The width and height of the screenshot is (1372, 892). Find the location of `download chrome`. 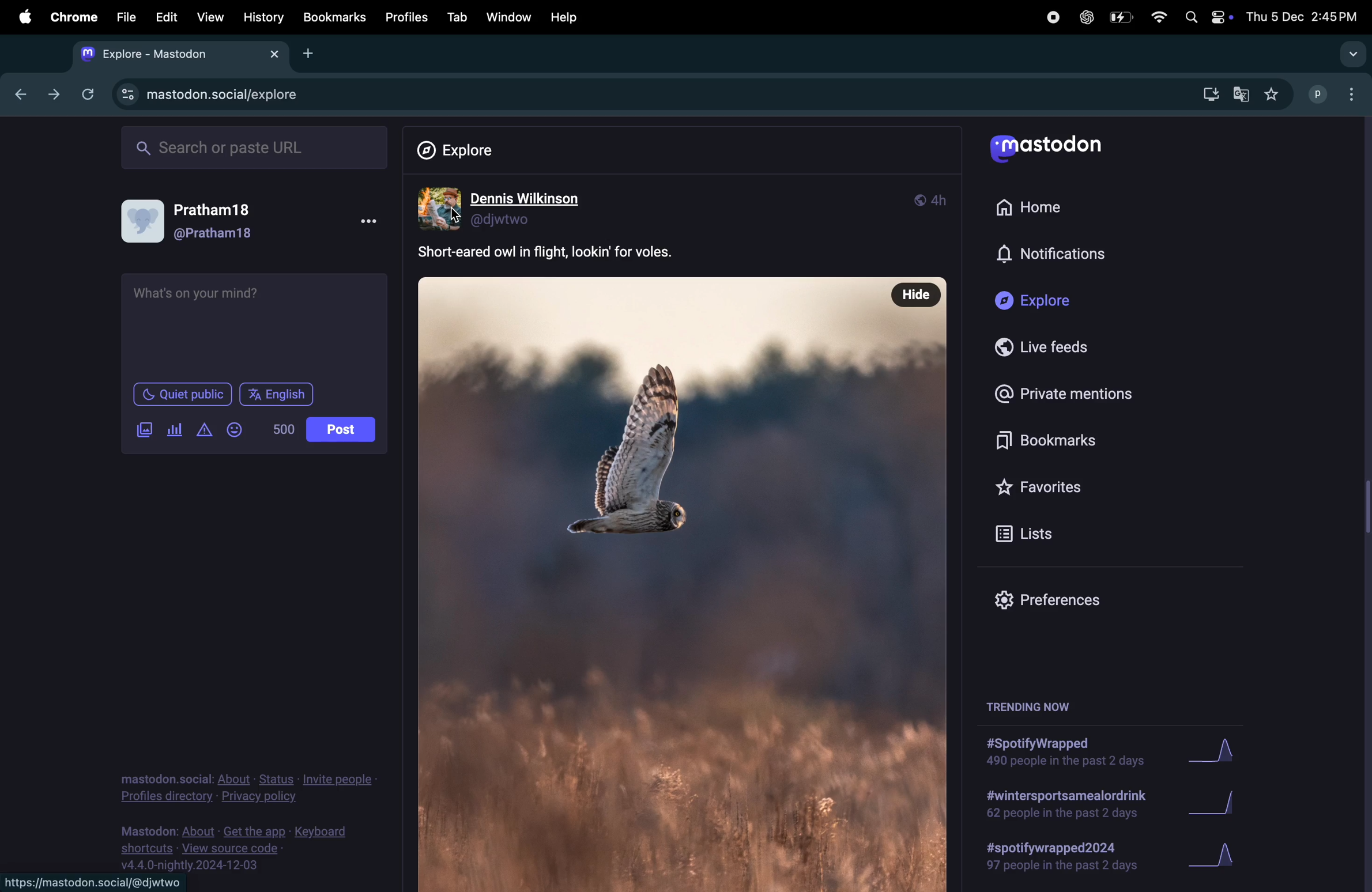

download chrome is located at coordinates (1207, 95).